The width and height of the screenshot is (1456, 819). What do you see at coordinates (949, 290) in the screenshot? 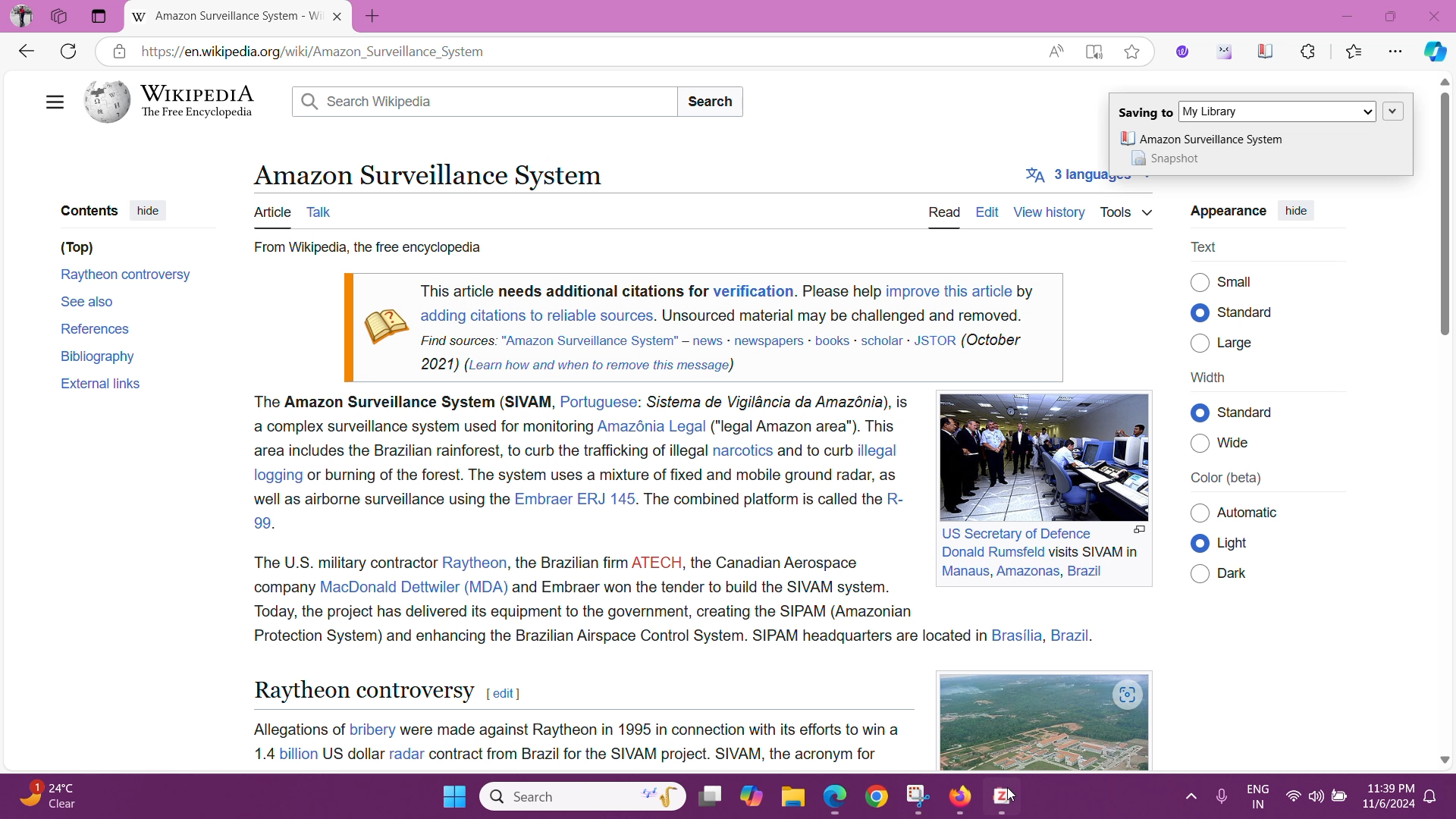
I see `improve this article` at bounding box center [949, 290].